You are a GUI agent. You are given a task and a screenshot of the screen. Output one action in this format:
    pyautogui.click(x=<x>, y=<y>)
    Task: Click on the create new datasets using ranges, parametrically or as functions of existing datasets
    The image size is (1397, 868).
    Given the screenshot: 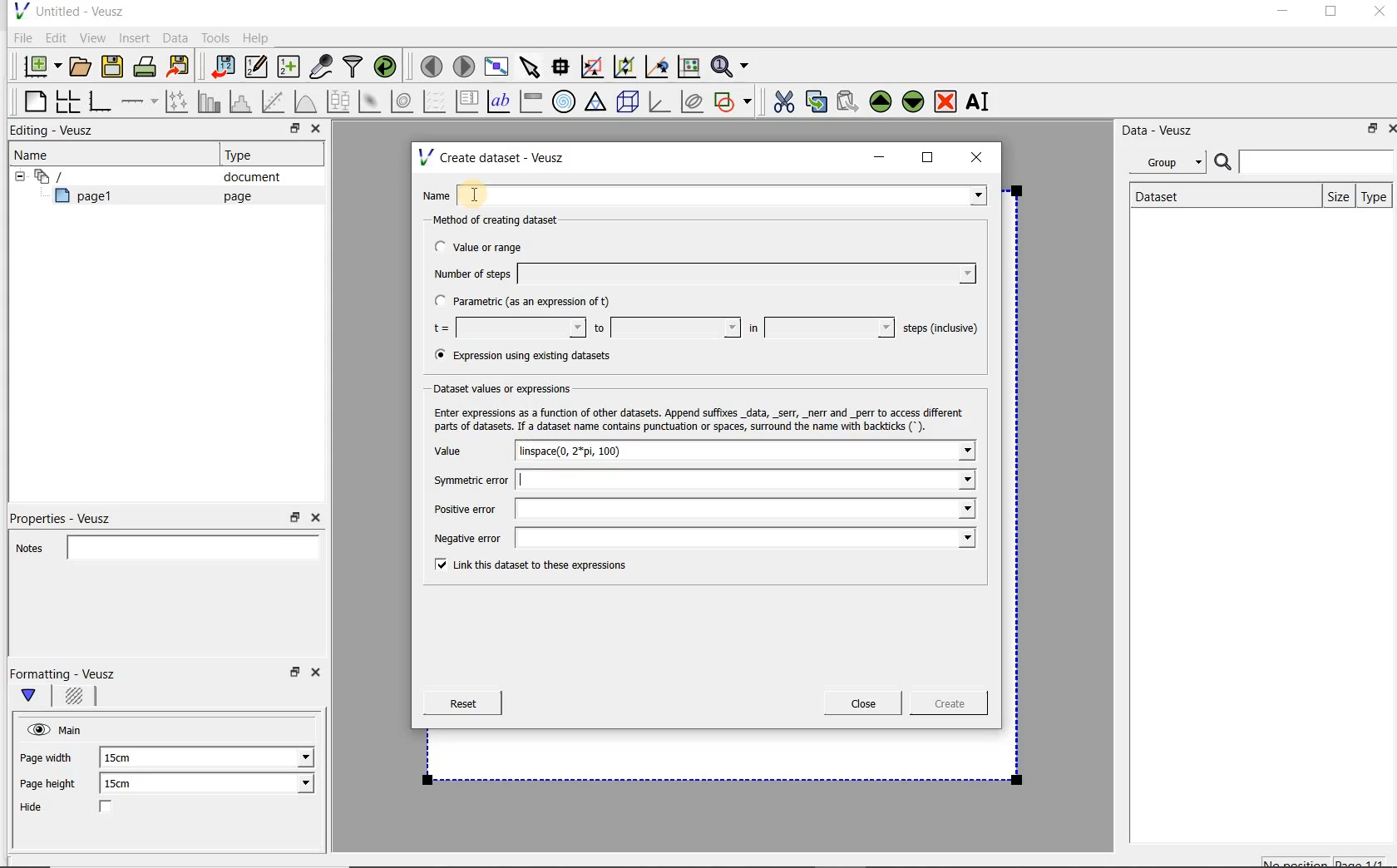 What is the action you would take?
    pyautogui.click(x=289, y=67)
    